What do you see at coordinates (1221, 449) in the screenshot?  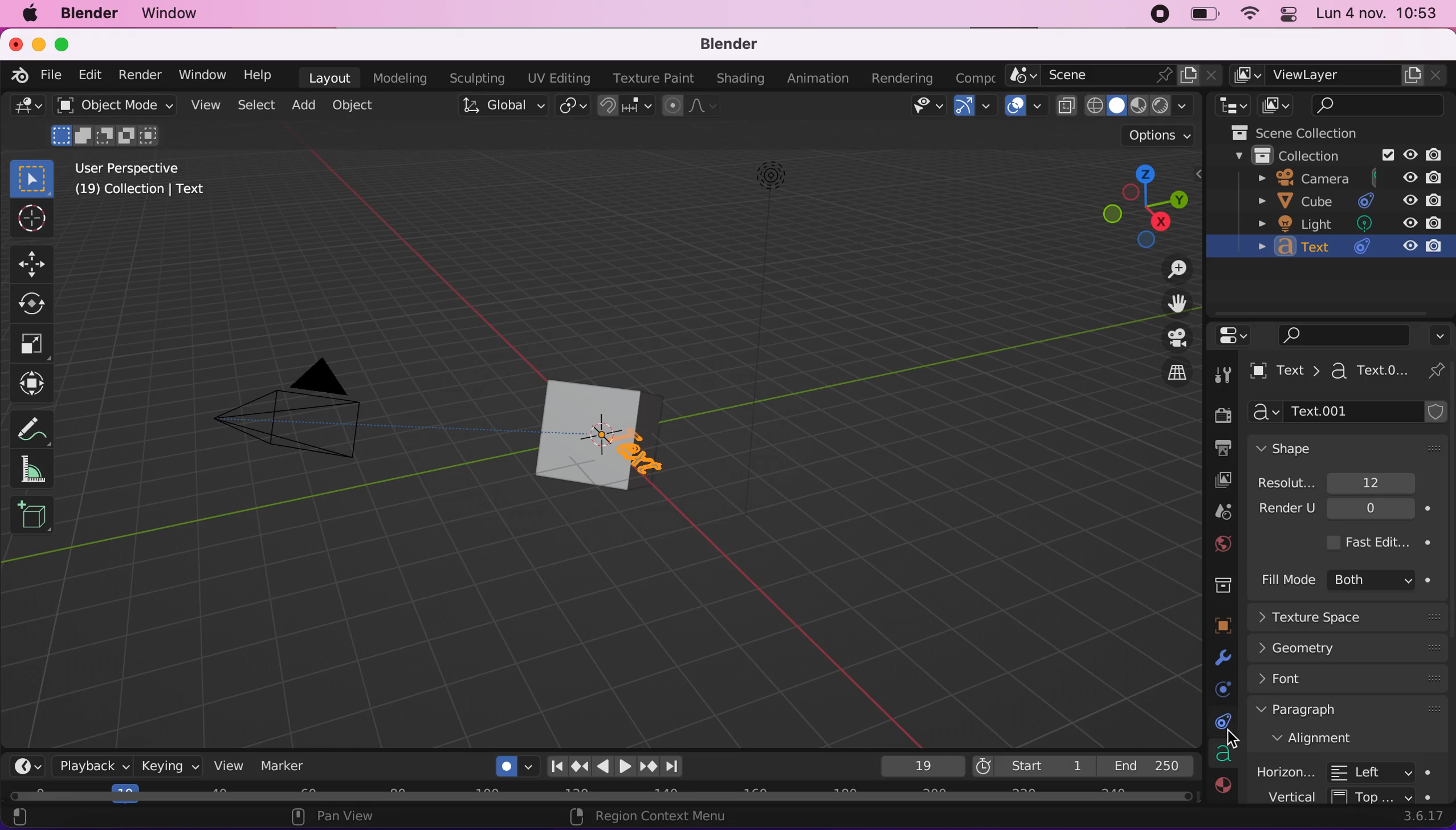 I see `output` at bounding box center [1221, 449].